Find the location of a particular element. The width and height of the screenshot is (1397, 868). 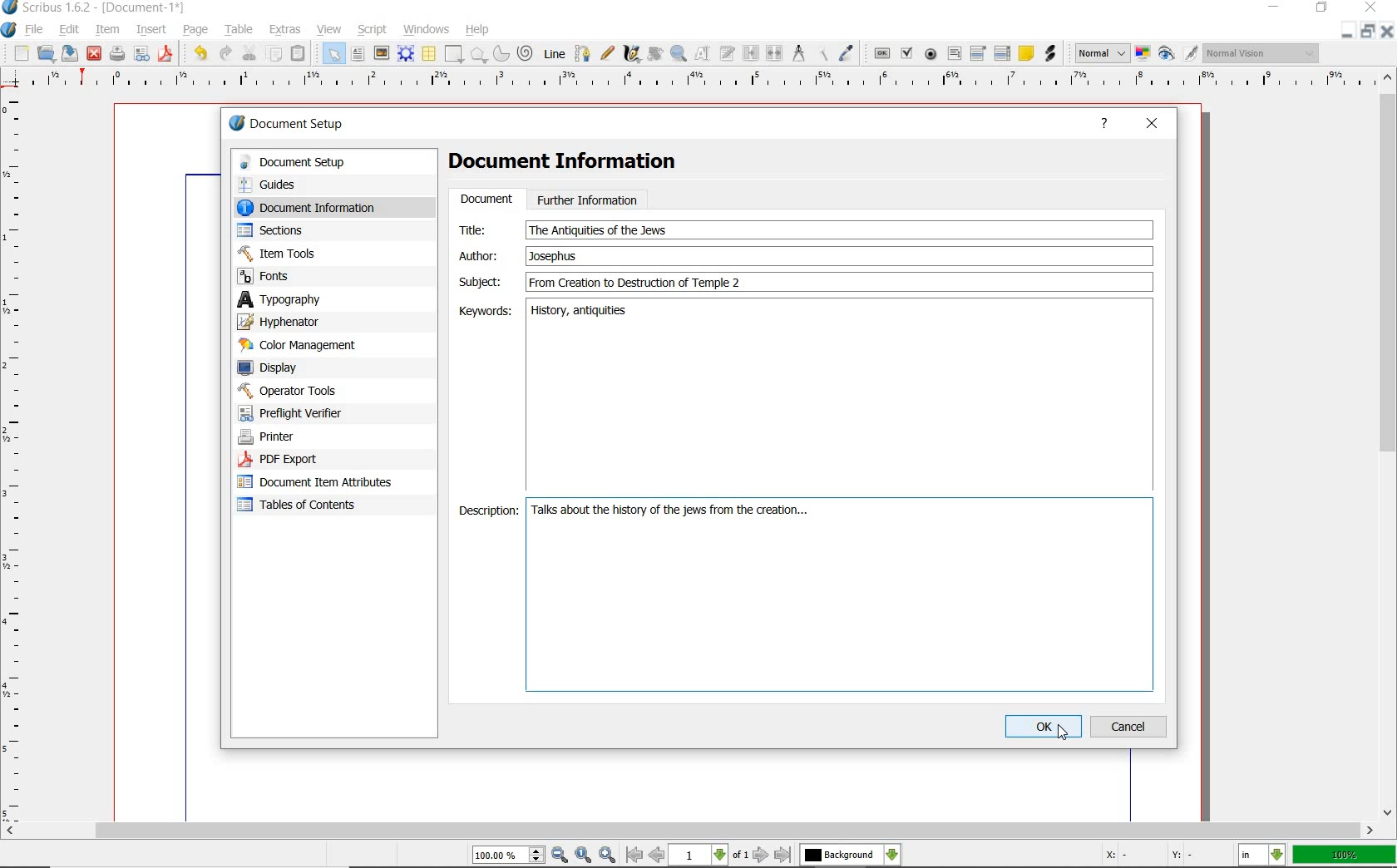

tables of contents is located at coordinates (308, 506).